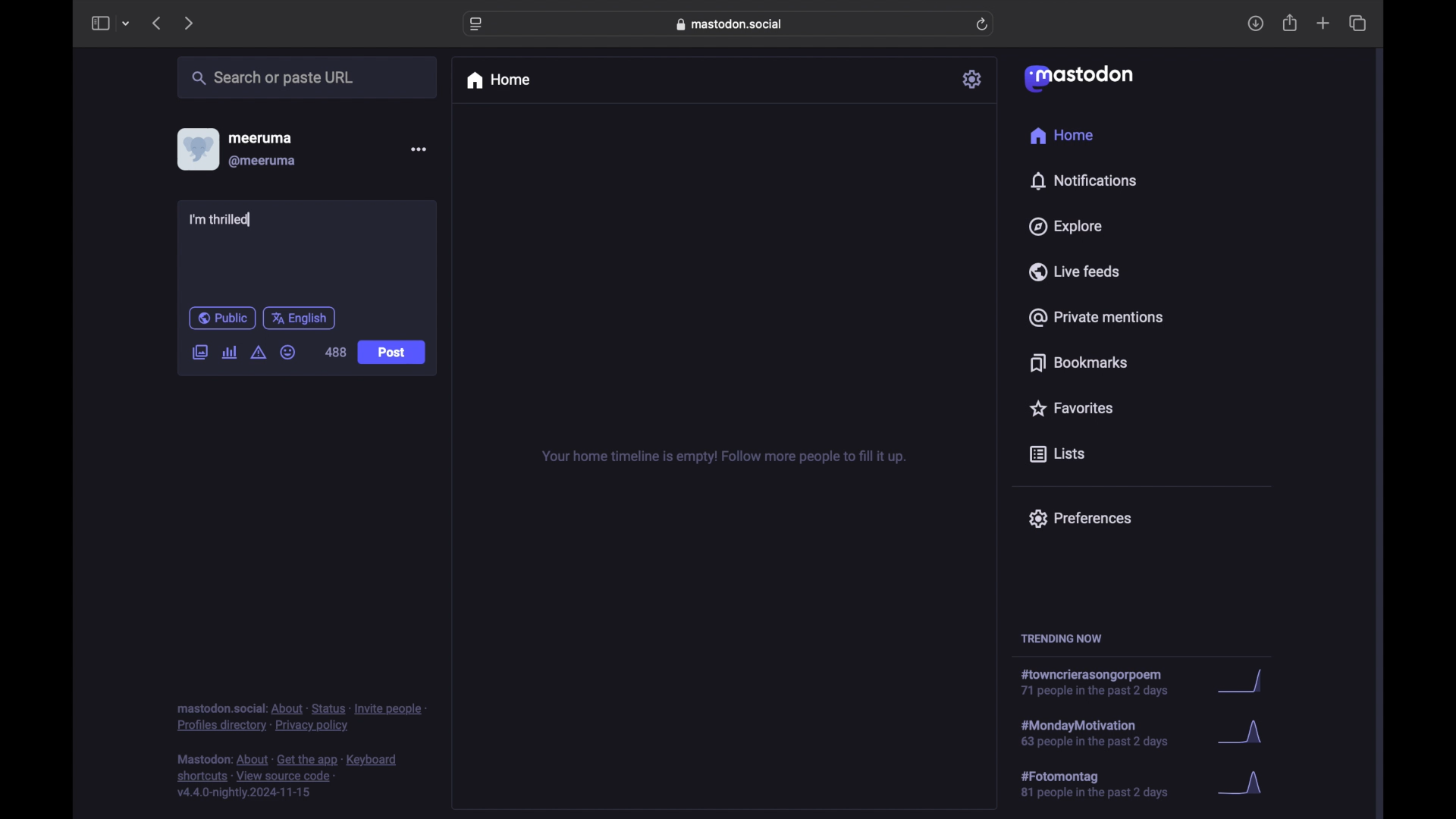 The image size is (1456, 819). Describe the element at coordinates (1109, 732) in the screenshot. I see `hashtag  trend` at that location.